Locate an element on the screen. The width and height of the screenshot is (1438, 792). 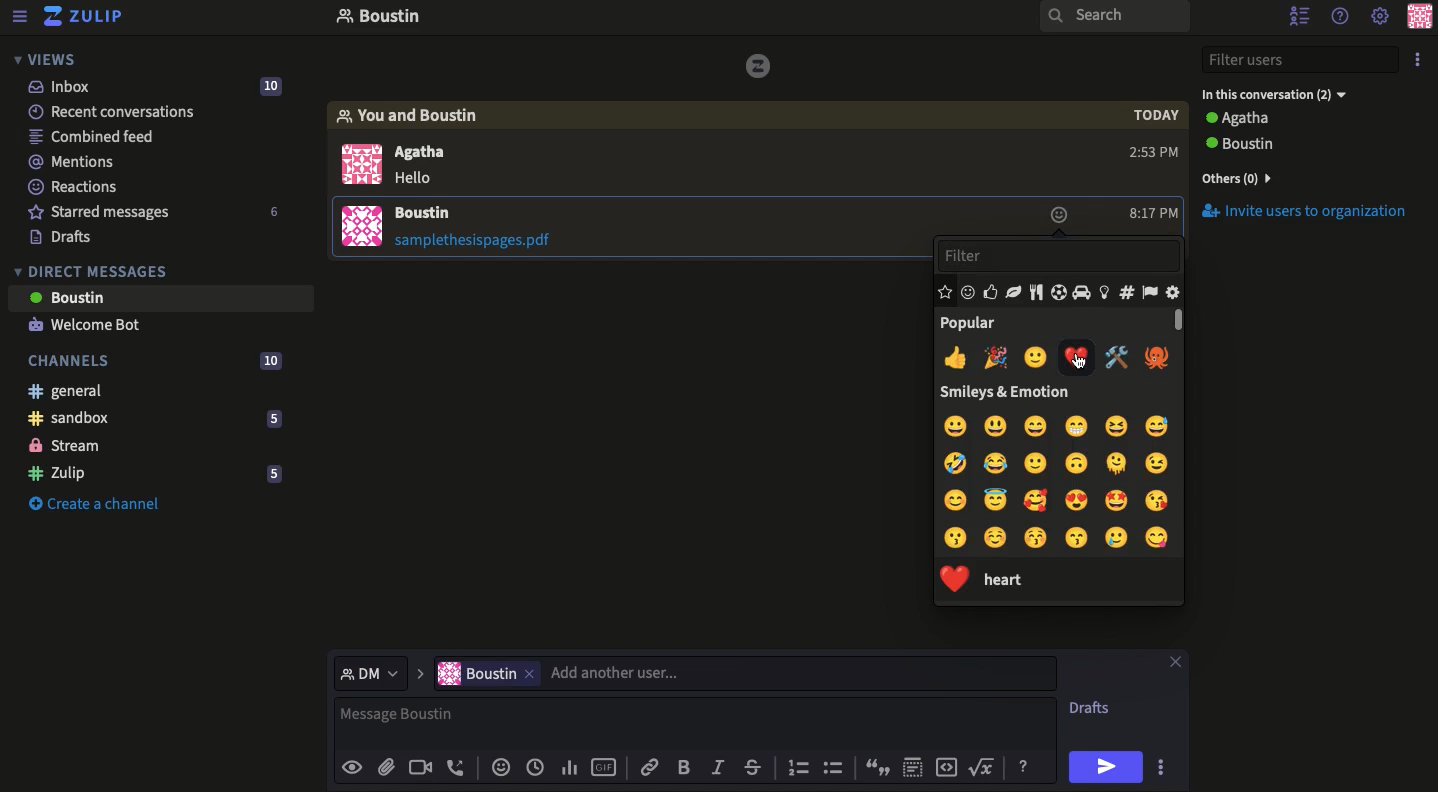
smiling face with tear is located at coordinates (1120, 537).